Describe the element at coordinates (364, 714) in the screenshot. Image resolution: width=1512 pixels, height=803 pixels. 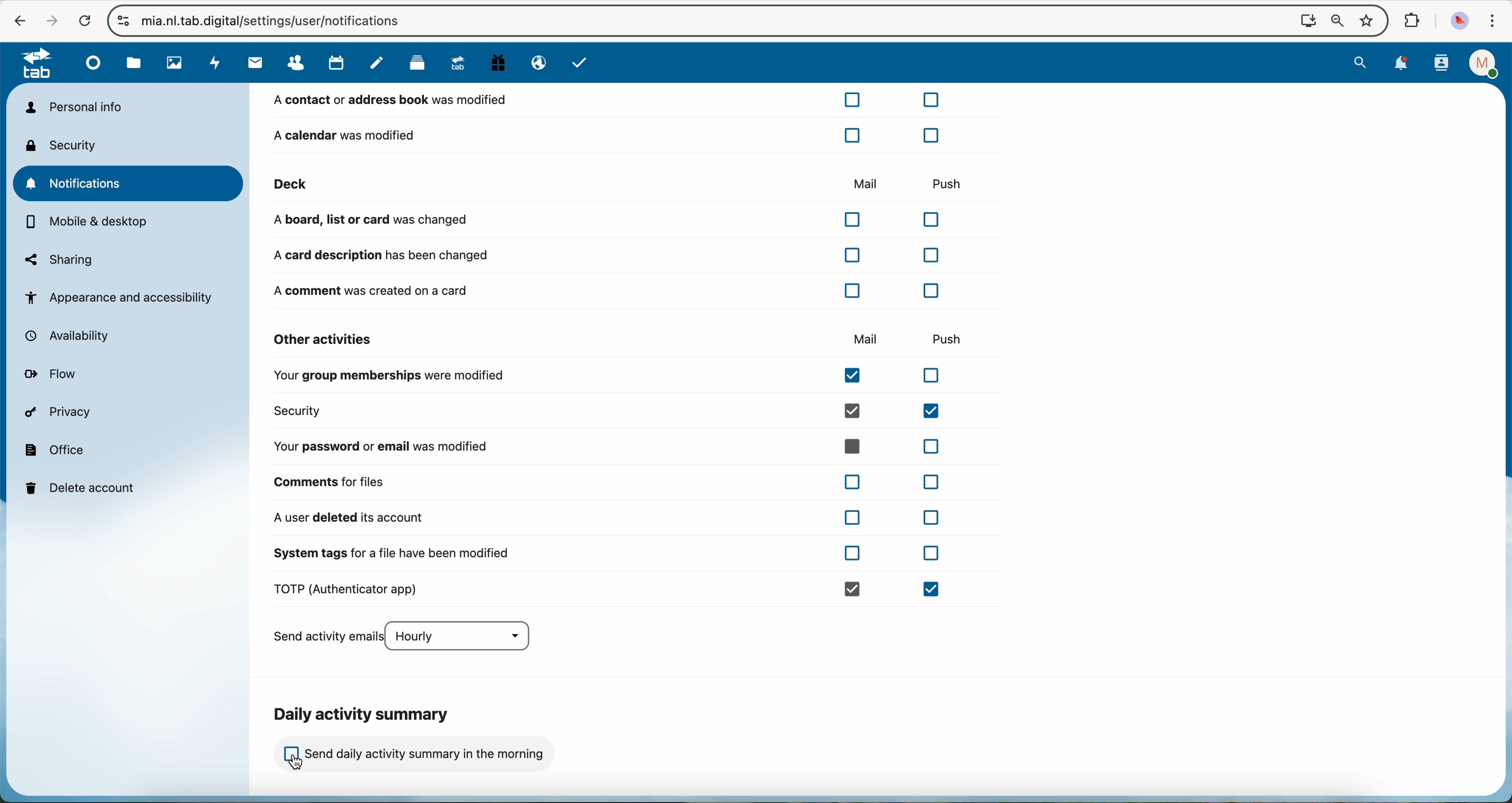
I see `daily activity summary` at that location.